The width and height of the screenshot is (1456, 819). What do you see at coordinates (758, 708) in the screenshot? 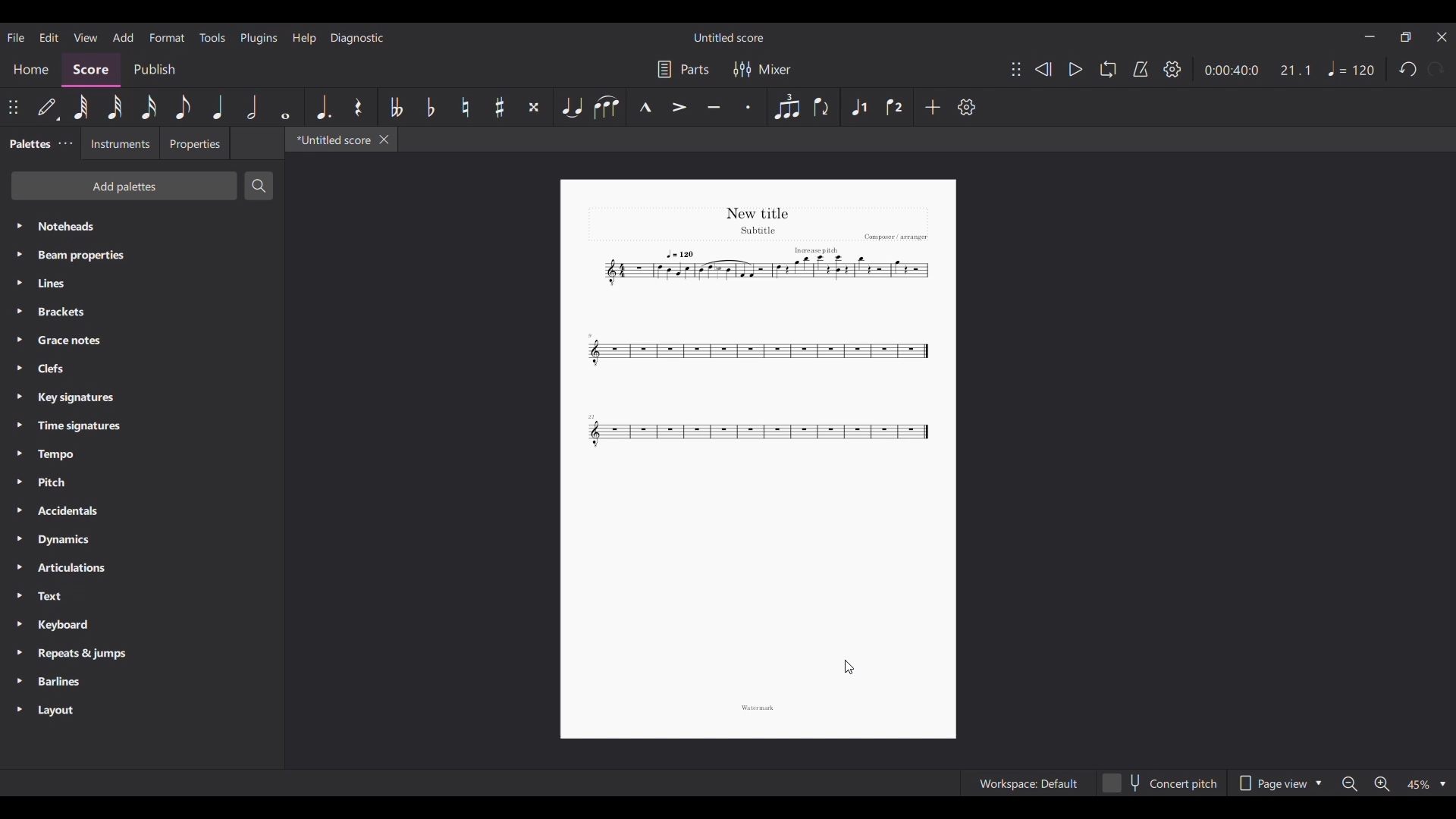
I see `Watermark` at bounding box center [758, 708].